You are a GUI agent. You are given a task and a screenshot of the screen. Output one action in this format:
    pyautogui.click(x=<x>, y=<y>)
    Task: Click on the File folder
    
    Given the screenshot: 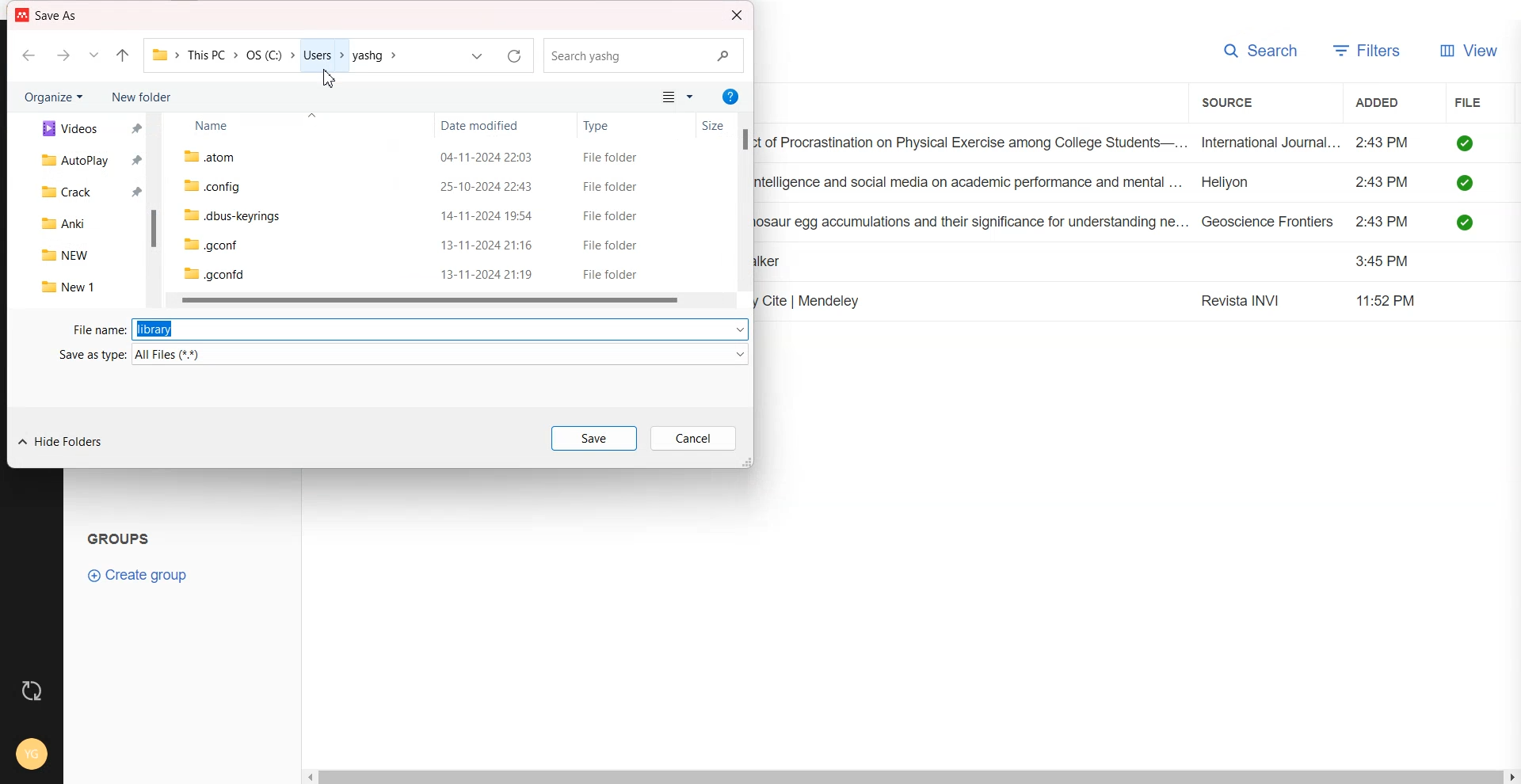 What is the action you would take?
    pyautogui.click(x=612, y=217)
    